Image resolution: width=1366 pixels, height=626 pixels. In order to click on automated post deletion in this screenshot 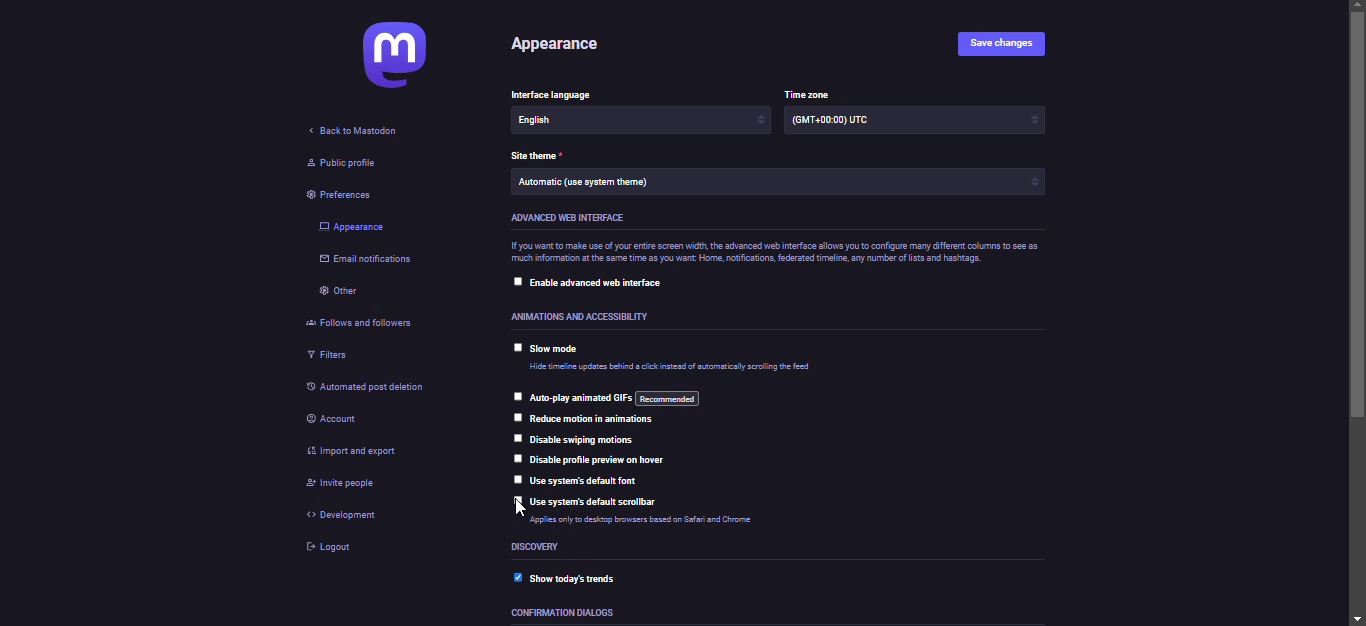, I will do `click(390, 386)`.